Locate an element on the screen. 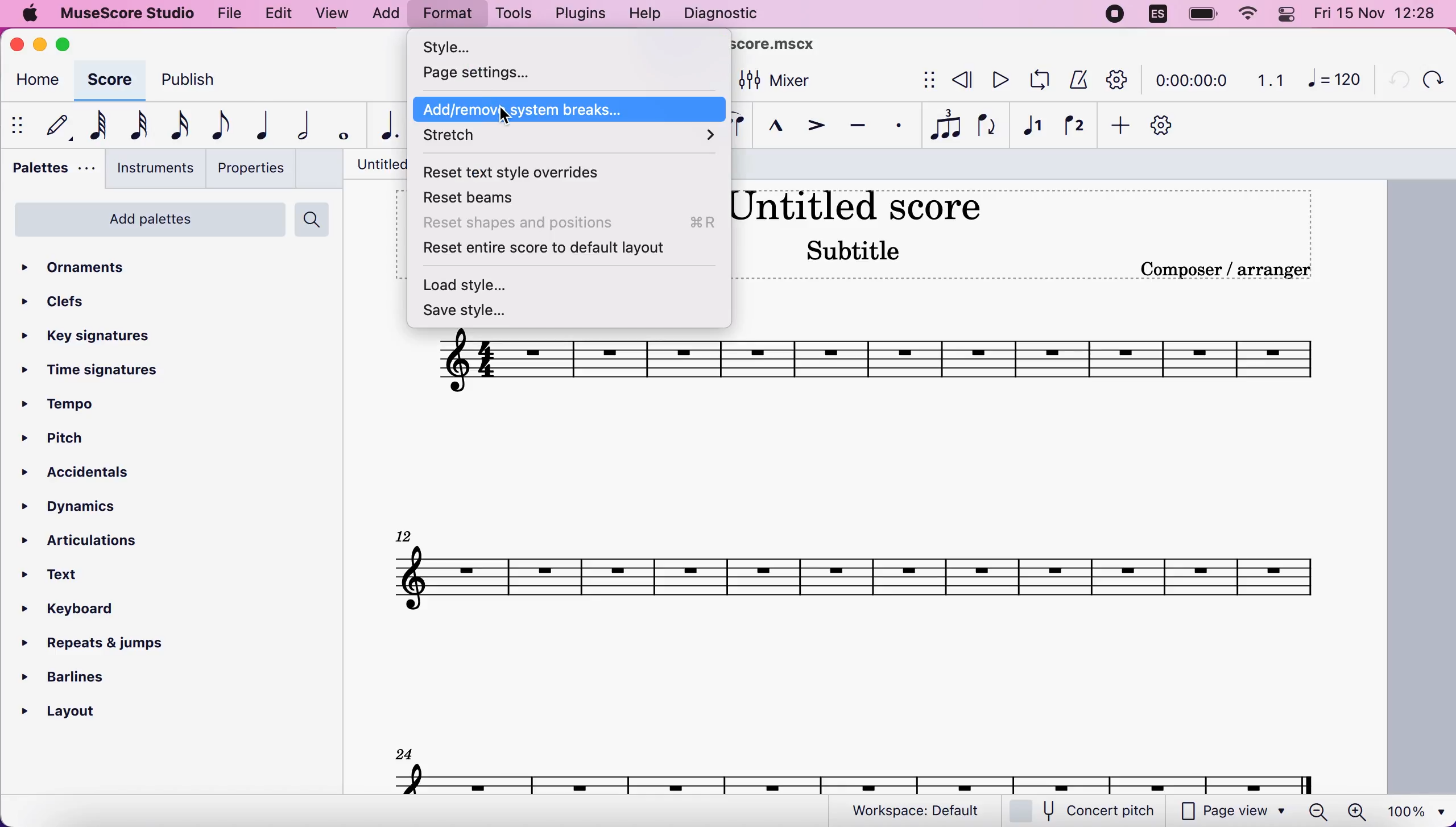 The width and height of the screenshot is (1456, 827). articulations is located at coordinates (89, 539).